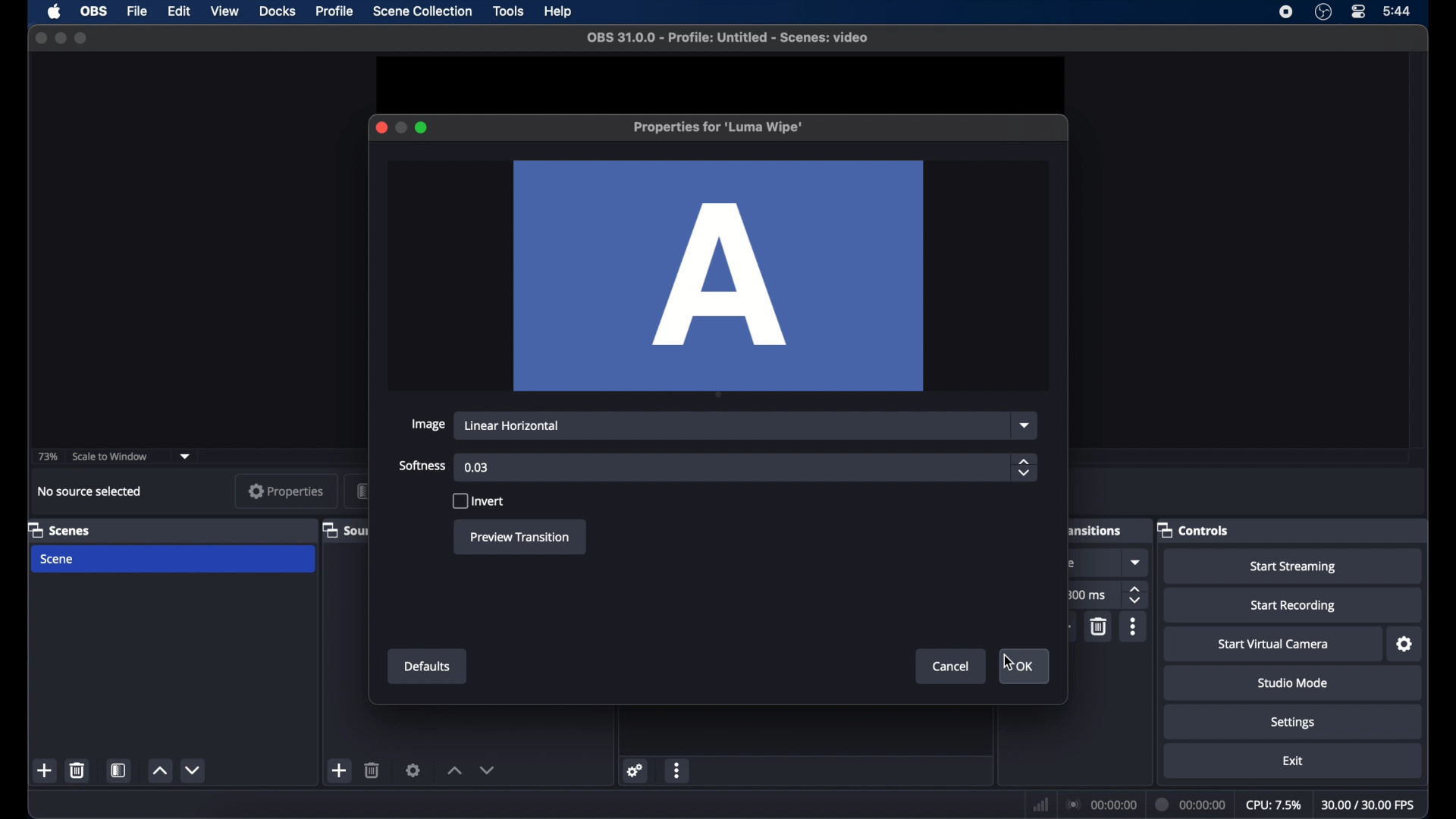 This screenshot has width=1456, height=819. Describe the element at coordinates (679, 770) in the screenshot. I see `more options` at that location.